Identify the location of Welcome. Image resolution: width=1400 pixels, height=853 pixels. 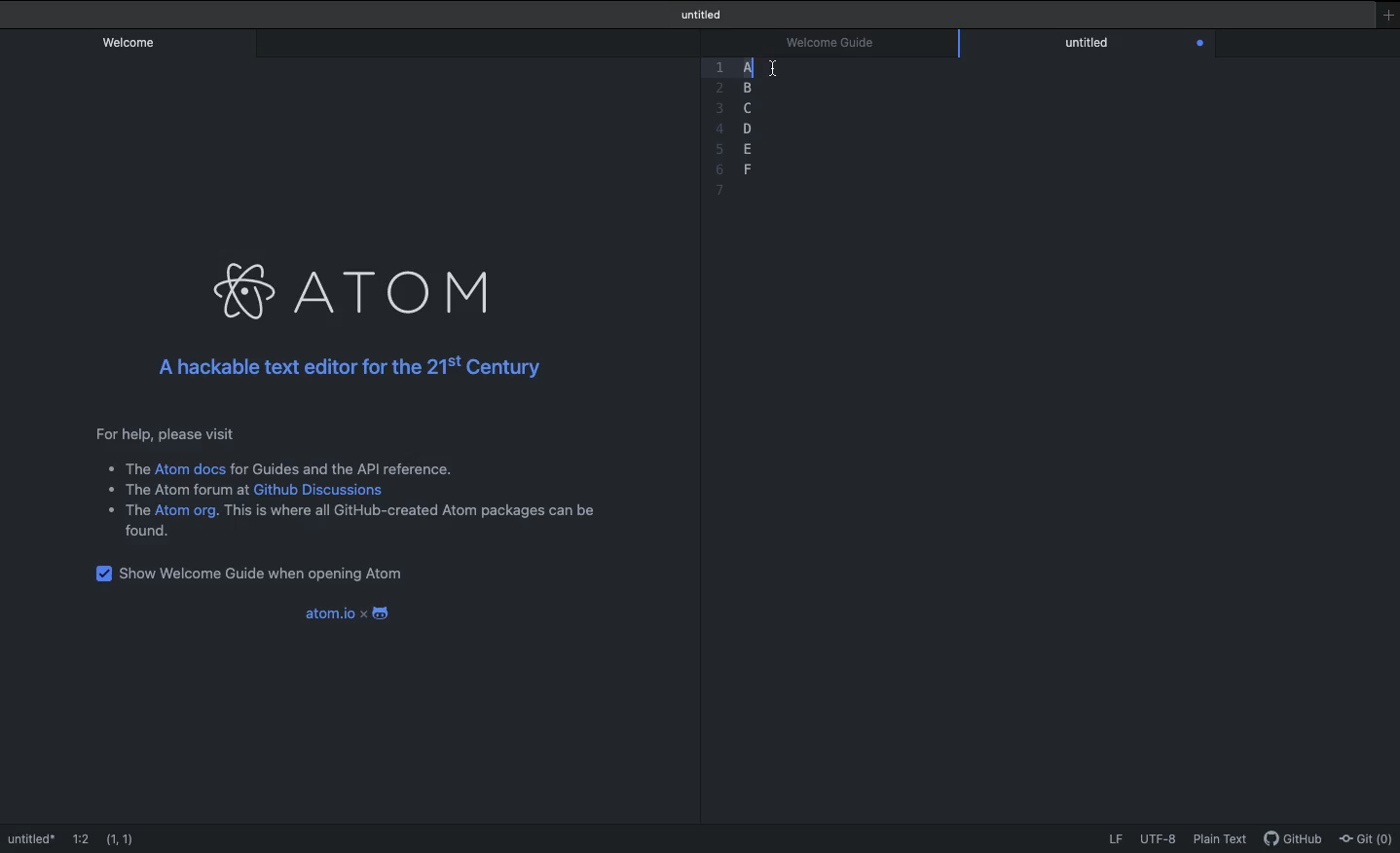
(130, 41).